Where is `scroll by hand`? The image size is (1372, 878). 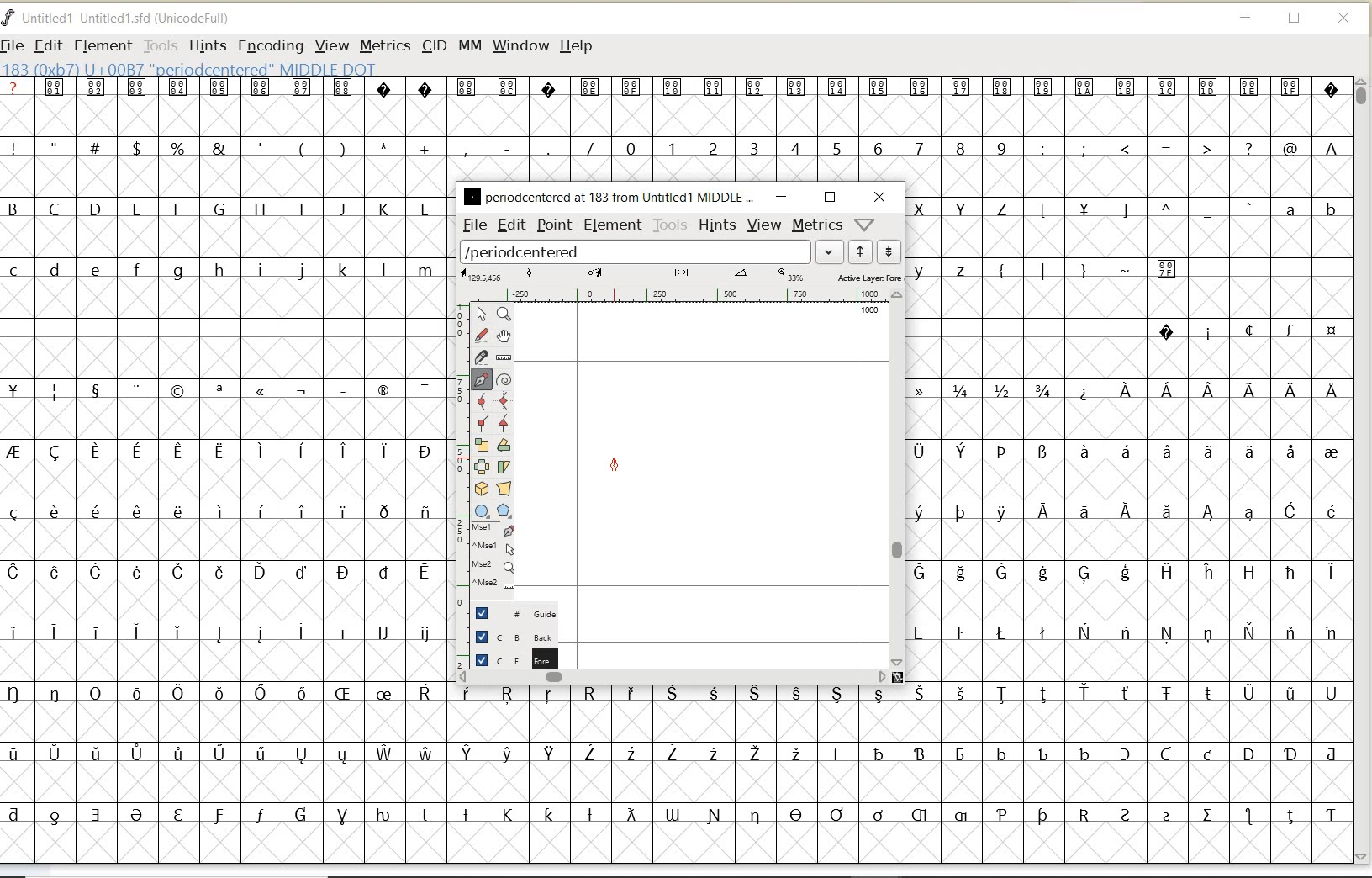 scroll by hand is located at coordinates (503, 336).